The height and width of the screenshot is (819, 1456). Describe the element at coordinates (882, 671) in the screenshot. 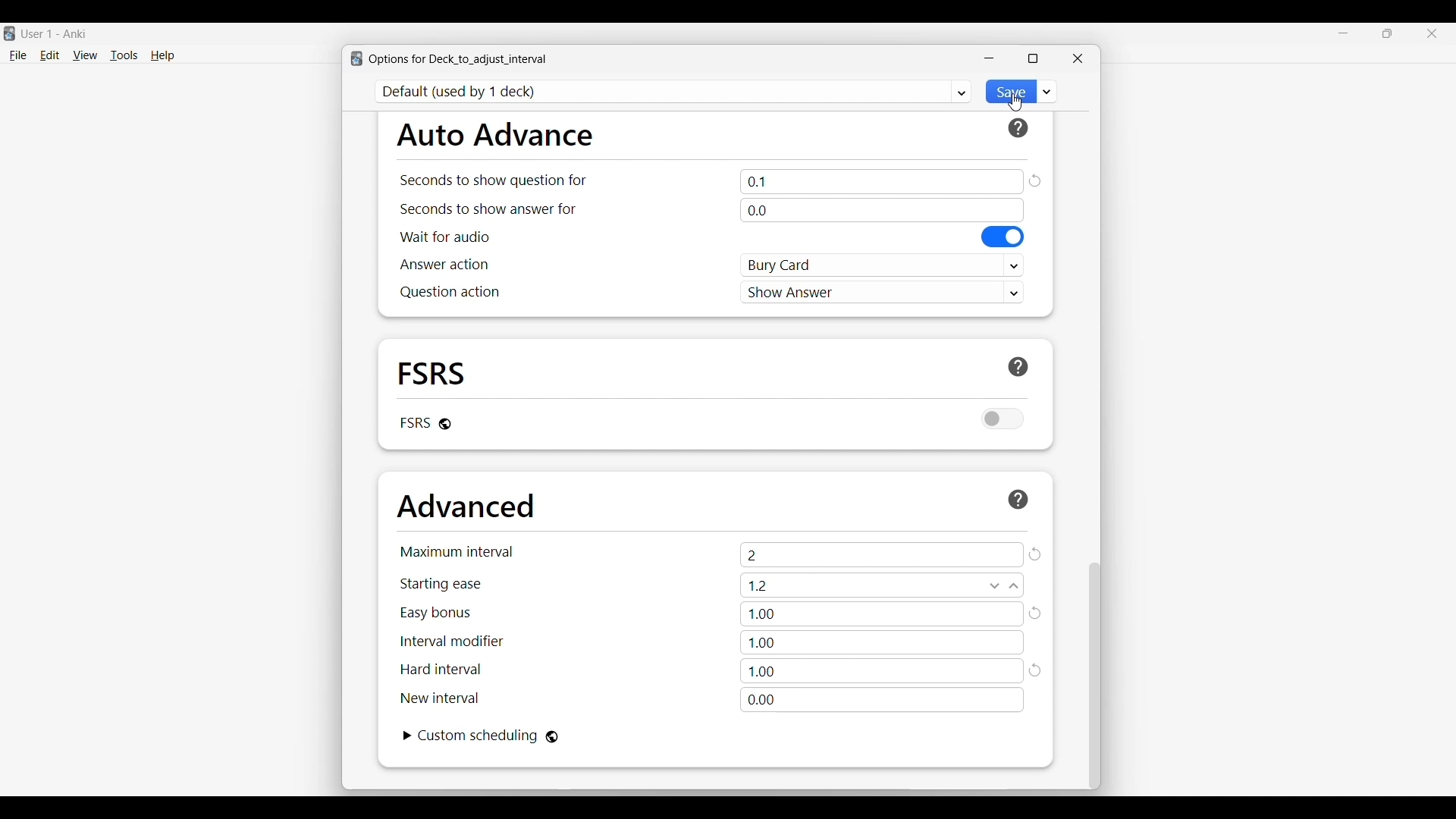

I see `1.00` at that location.